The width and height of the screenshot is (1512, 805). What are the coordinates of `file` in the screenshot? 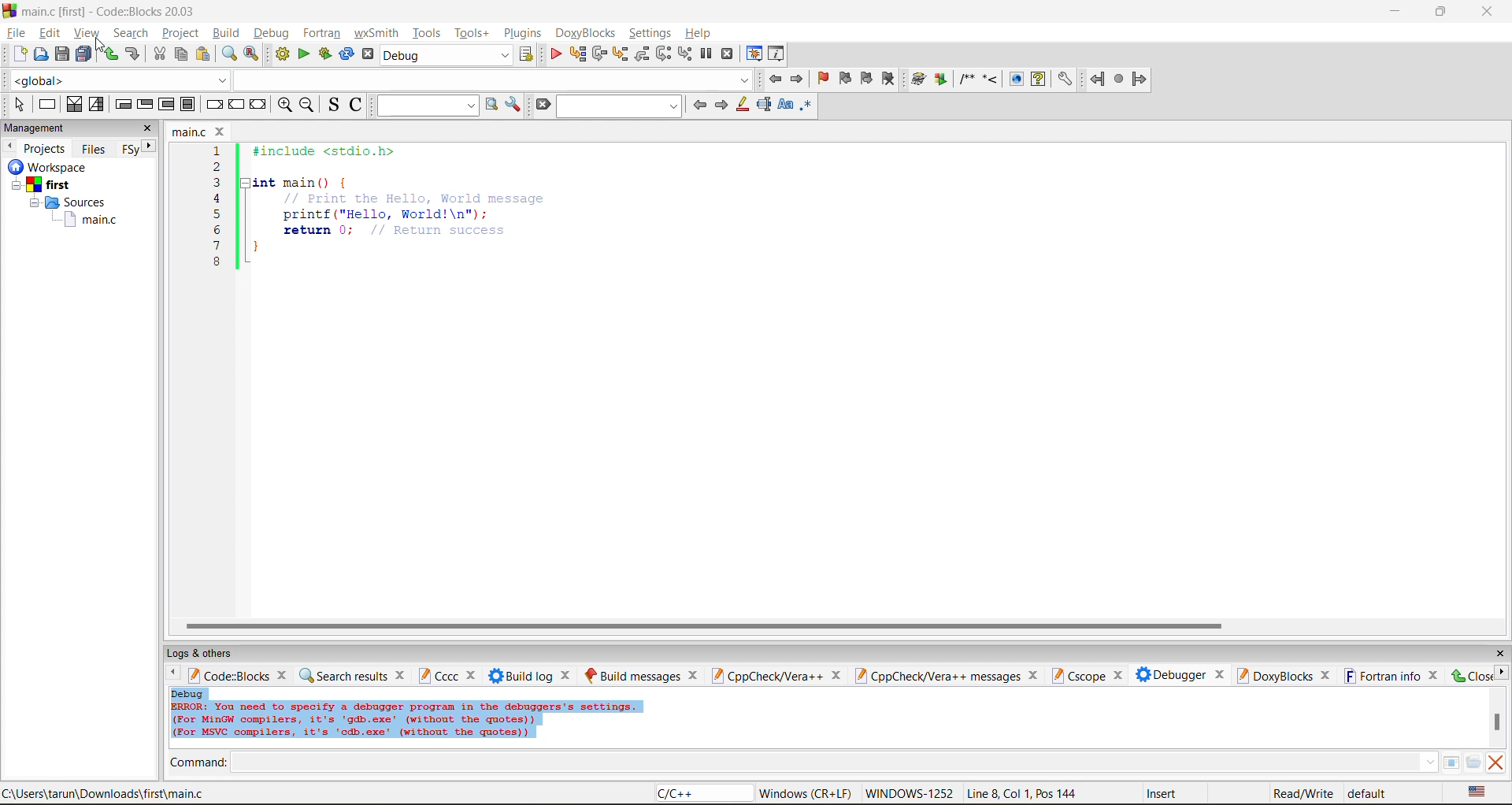 It's located at (17, 32).